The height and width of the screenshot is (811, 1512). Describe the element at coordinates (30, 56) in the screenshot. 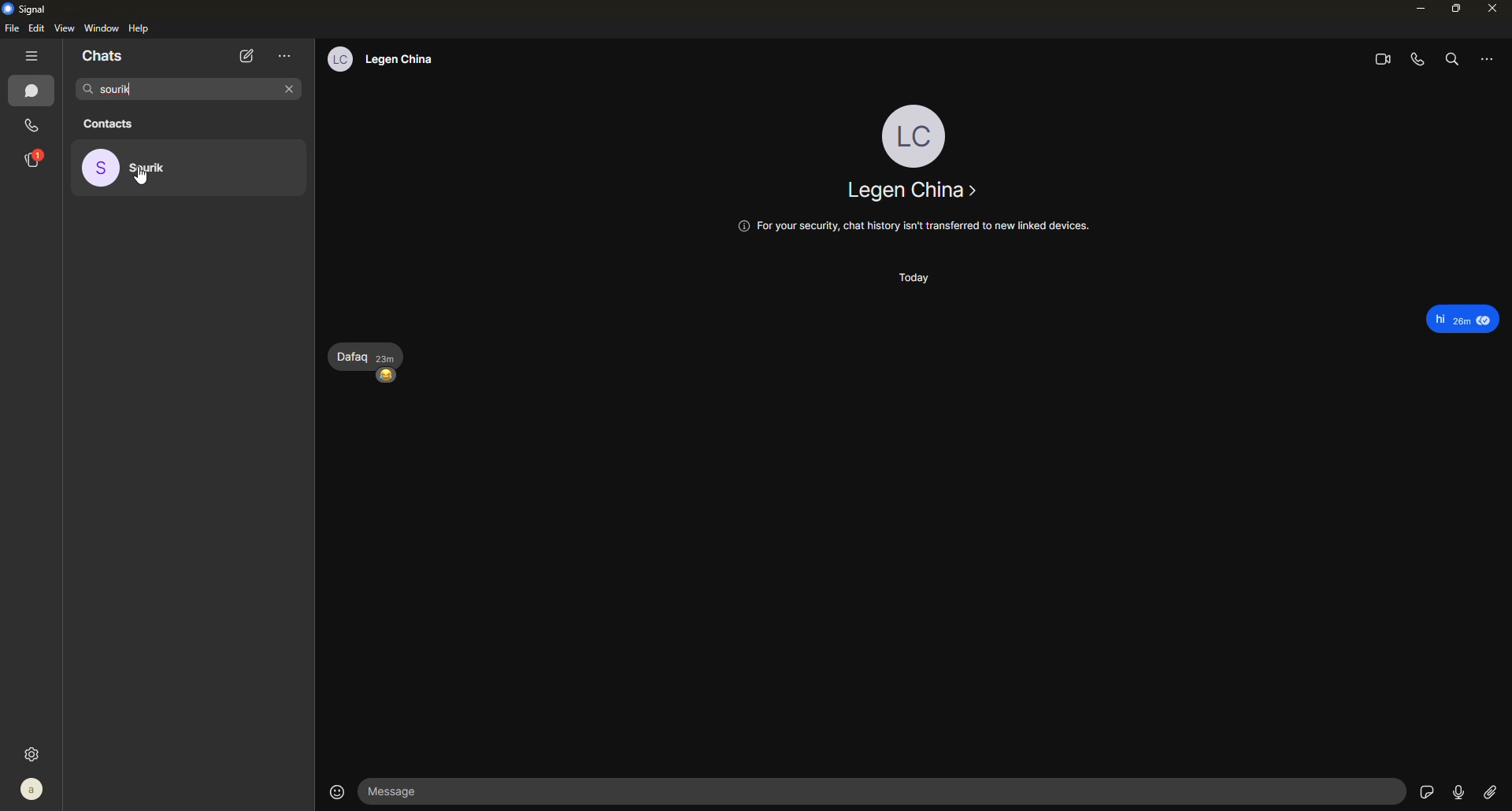

I see `hide tabs` at that location.